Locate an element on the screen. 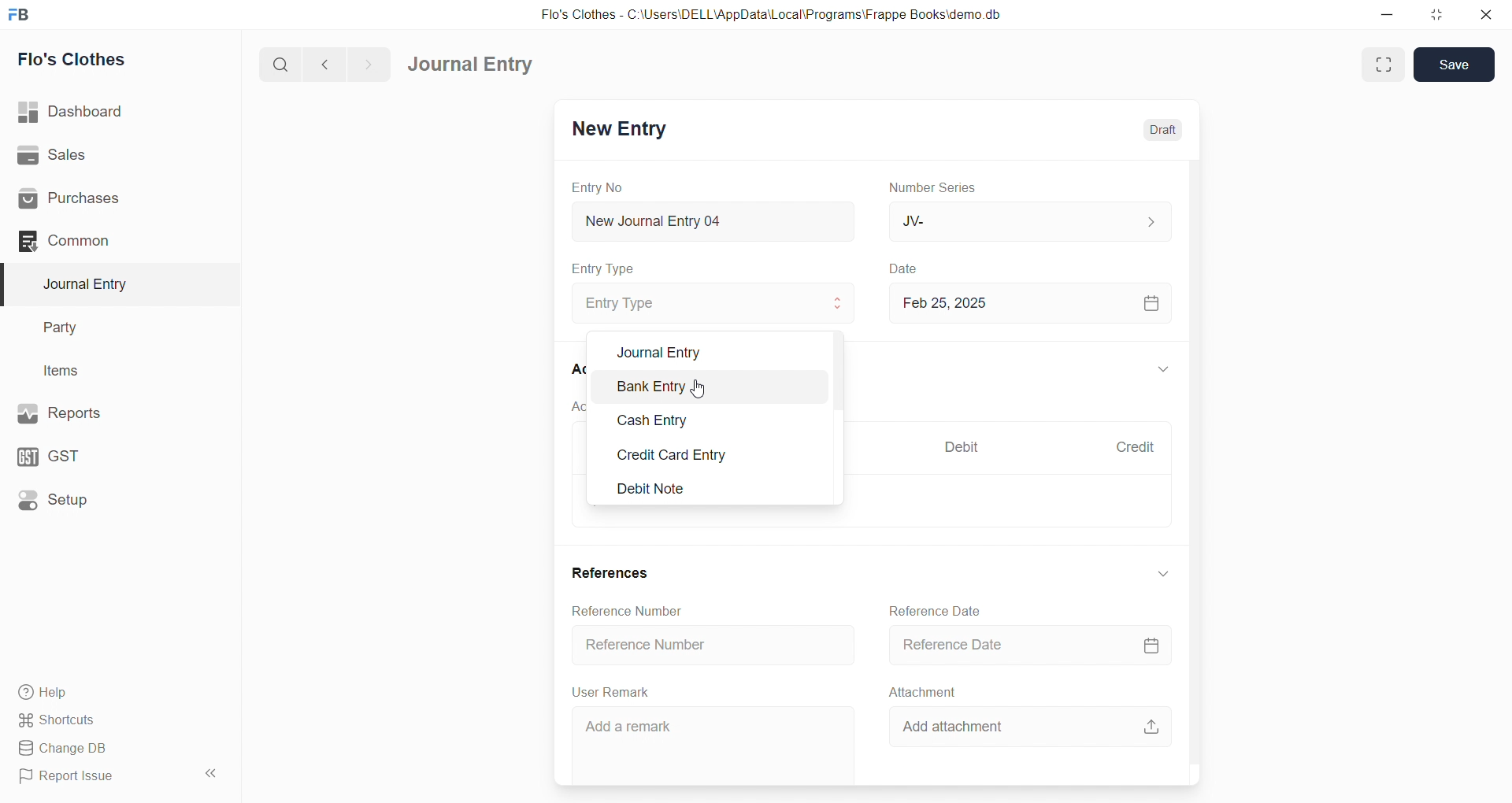  Change DB is located at coordinates (113, 749).